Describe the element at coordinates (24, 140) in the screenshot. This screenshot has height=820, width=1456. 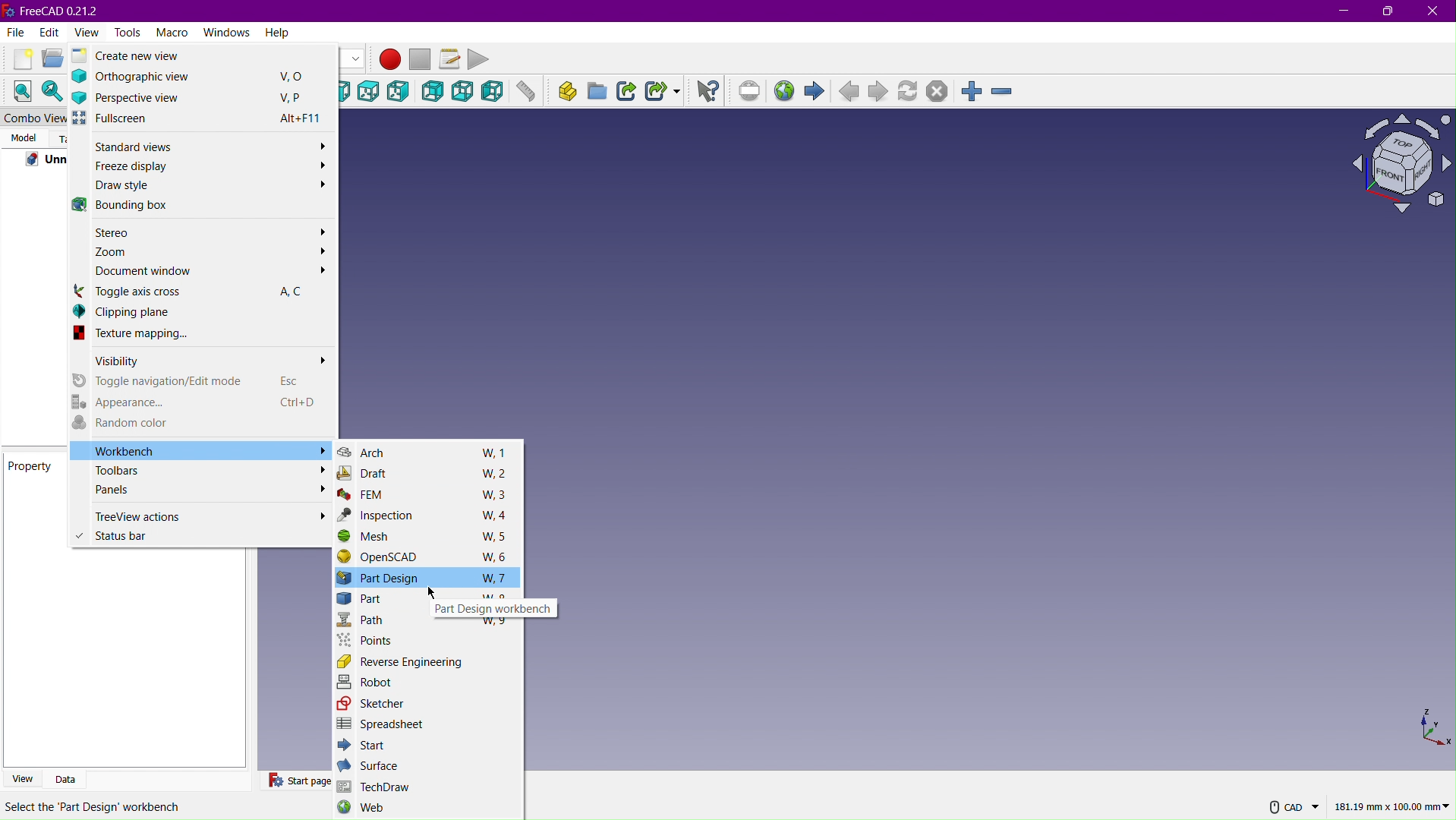
I see `Model` at that location.